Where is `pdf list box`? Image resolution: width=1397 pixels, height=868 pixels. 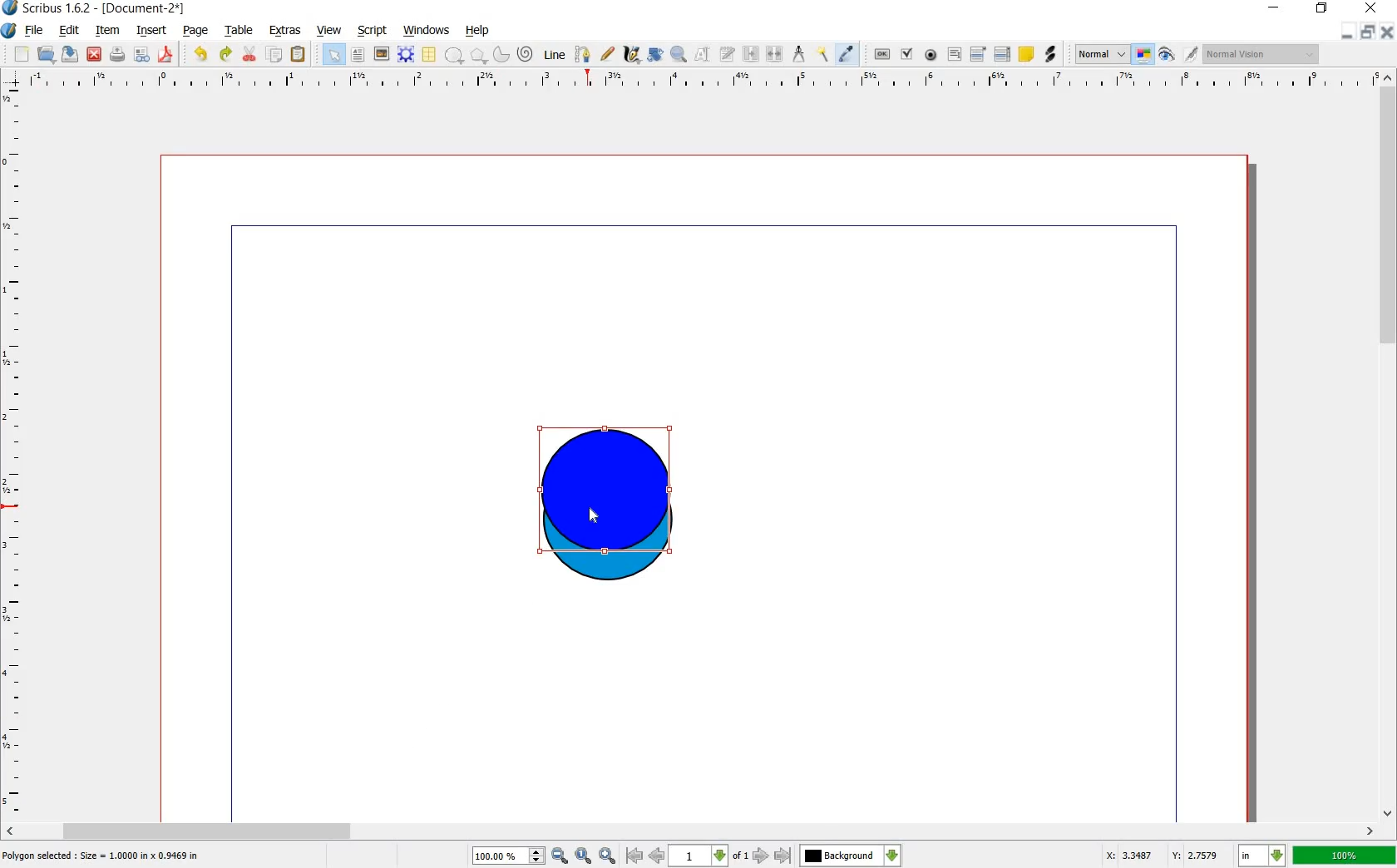
pdf list box is located at coordinates (1002, 52).